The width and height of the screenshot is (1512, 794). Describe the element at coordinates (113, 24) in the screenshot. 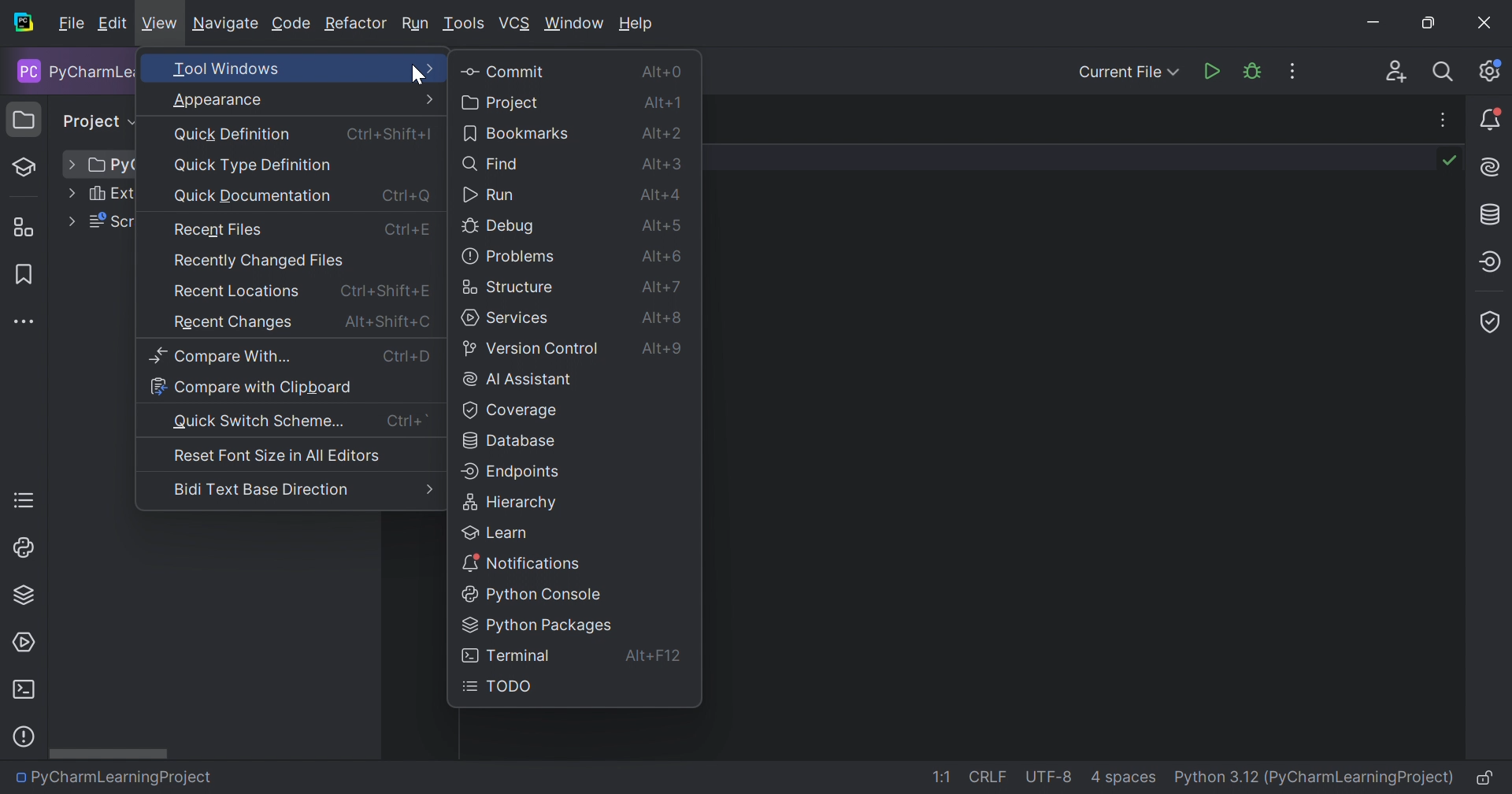

I see `Edit` at that location.